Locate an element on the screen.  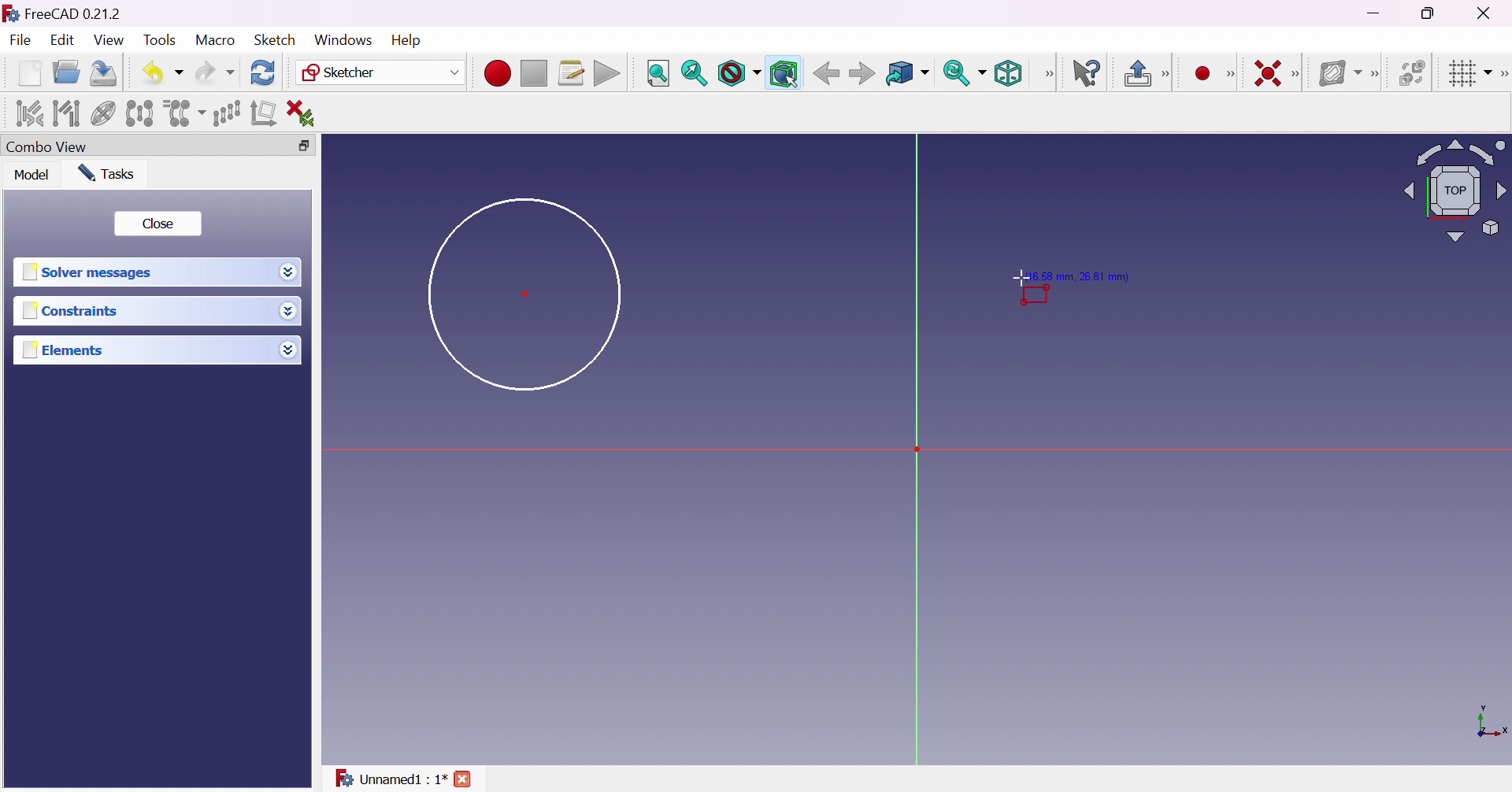
Elements is located at coordinates (65, 350).